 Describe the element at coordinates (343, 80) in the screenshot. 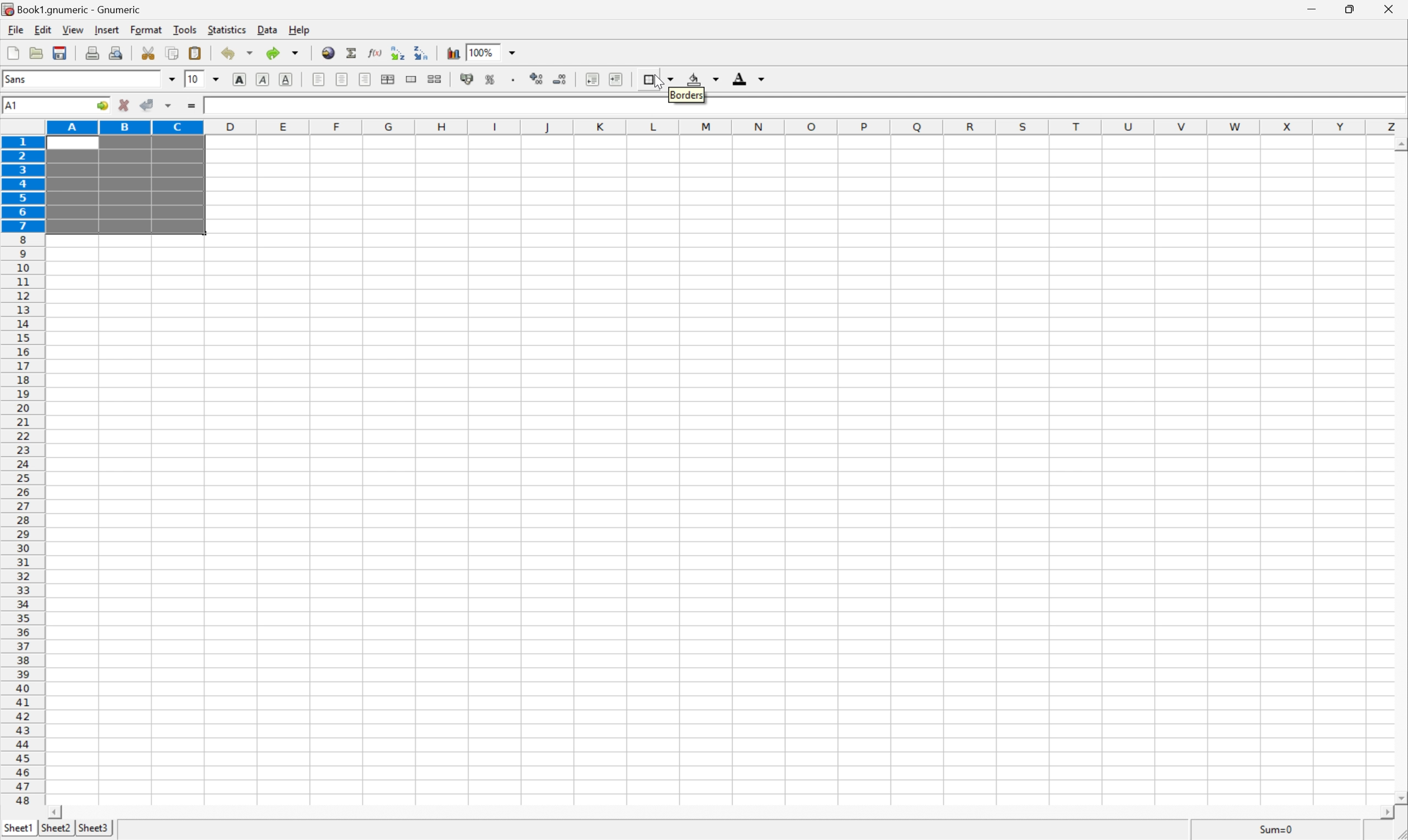

I see `center horizontally` at that location.